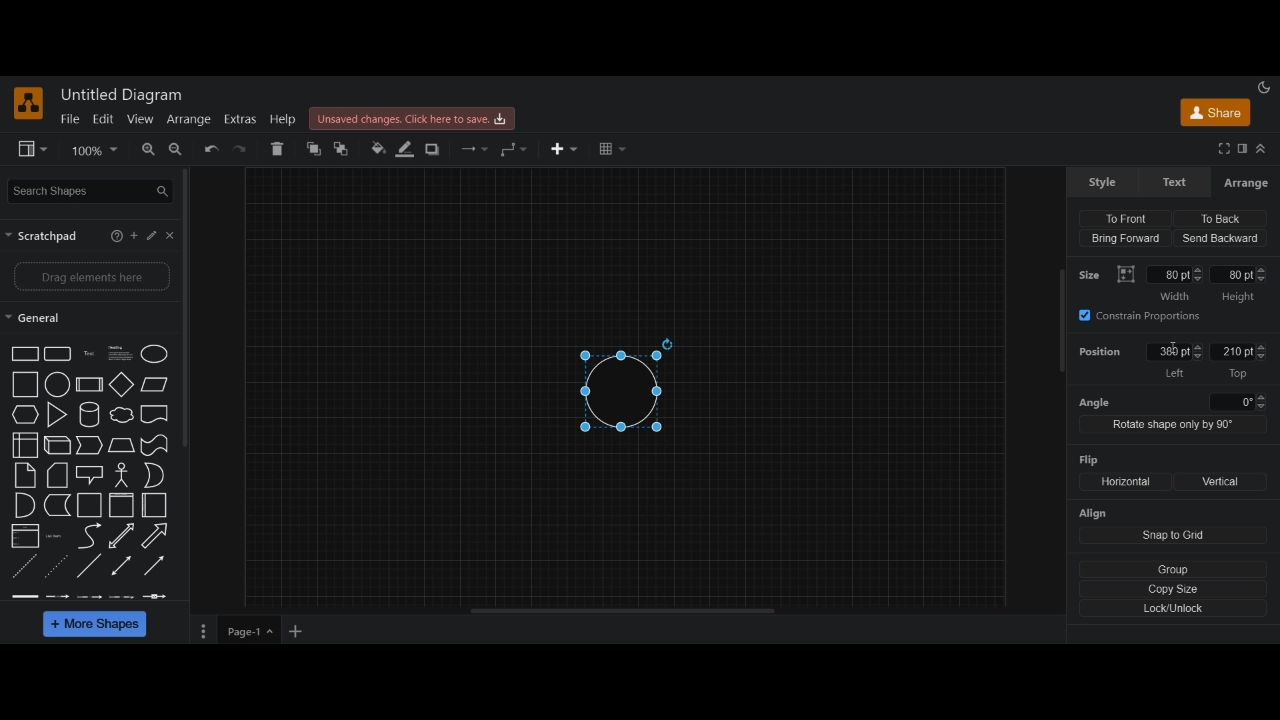  Describe the element at coordinates (155, 413) in the screenshot. I see `square free shape` at that location.